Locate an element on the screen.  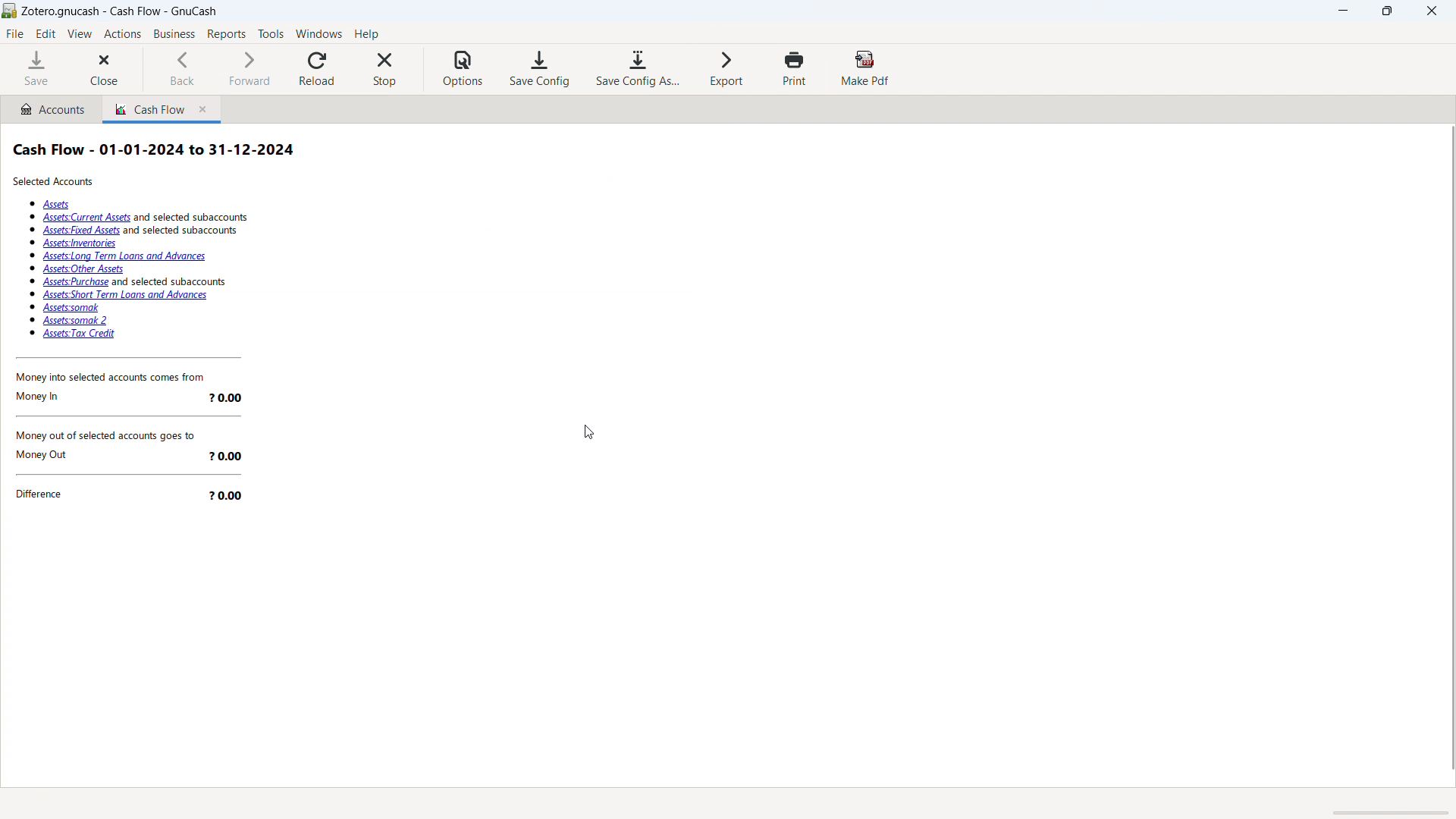
back is located at coordinates (190, 68).